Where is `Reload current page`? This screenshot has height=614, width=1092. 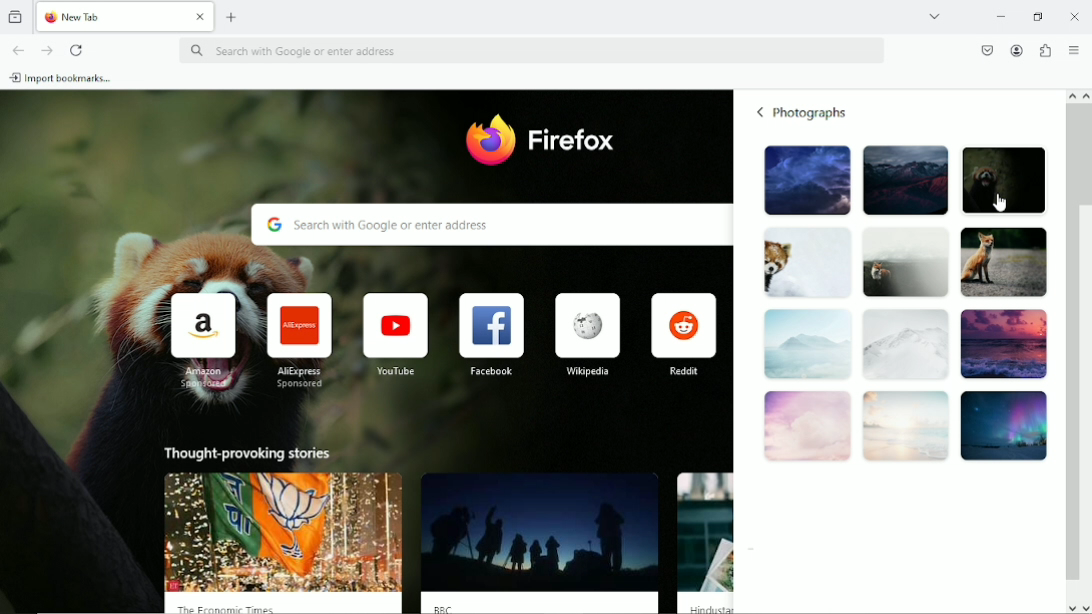 Reload current page is located at coordinates (76, 50).